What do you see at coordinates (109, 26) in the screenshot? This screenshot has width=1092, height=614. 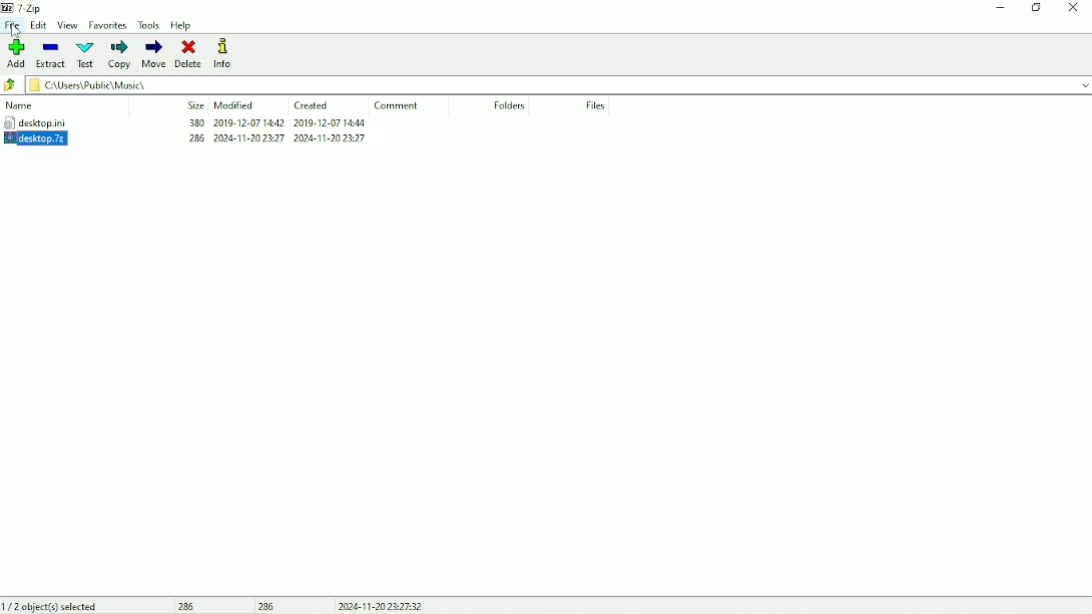 I see `Favorites` at bounding box center [109, 26].